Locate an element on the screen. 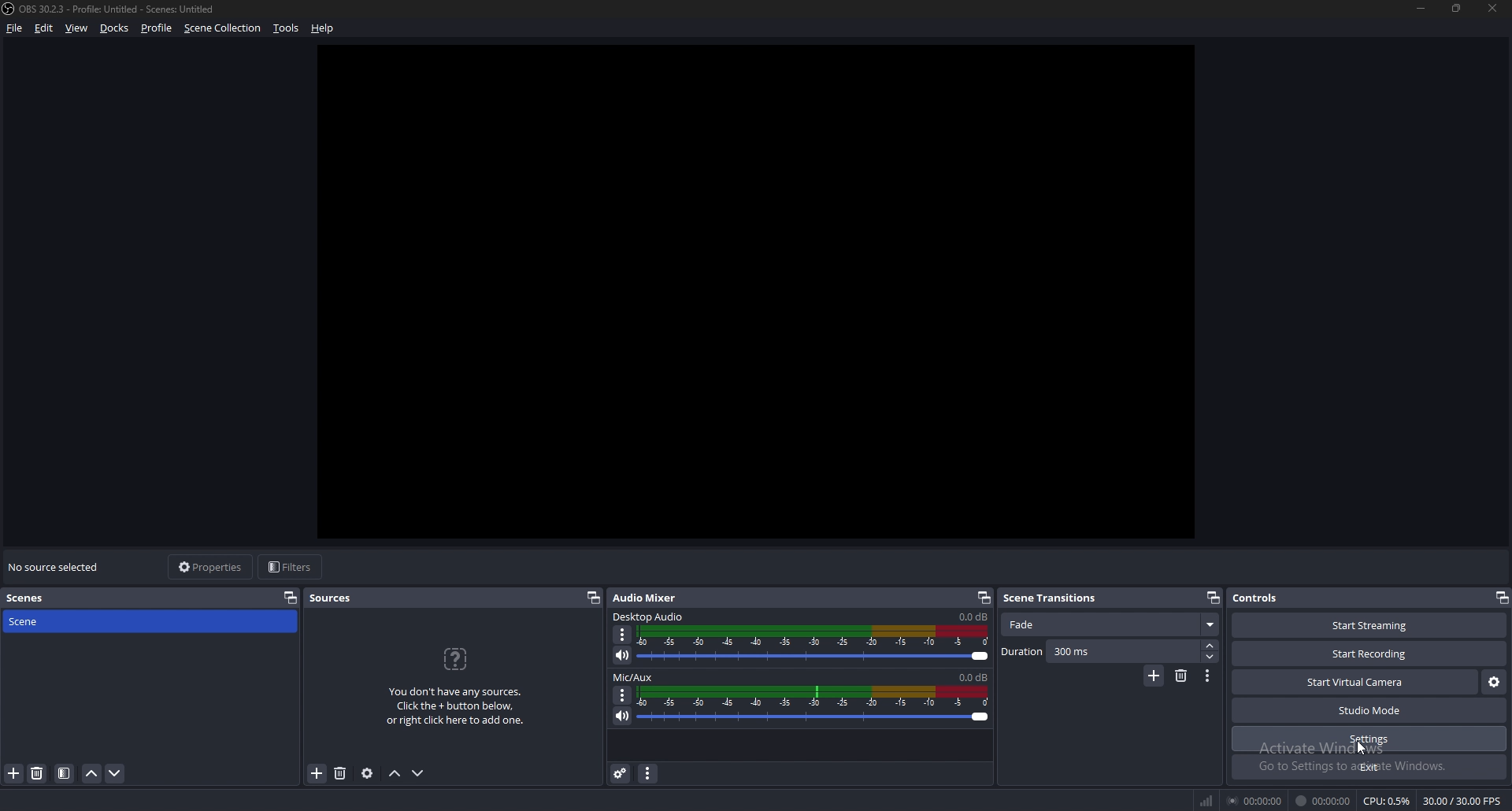 The image size is (1512, 811). view is located at coordinates (76, 28).